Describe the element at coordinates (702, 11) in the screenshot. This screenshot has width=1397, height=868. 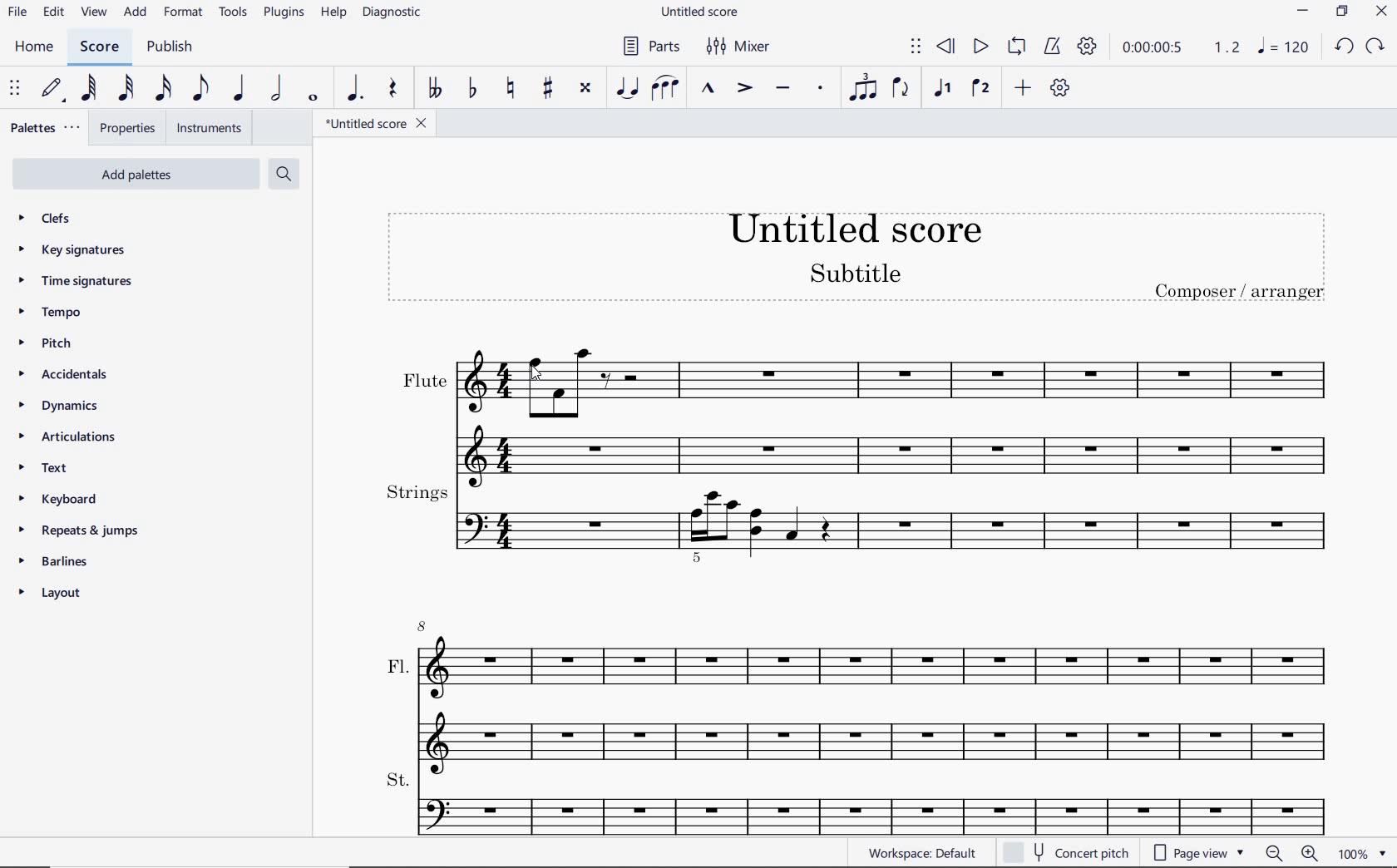
I see `file name` at that location.